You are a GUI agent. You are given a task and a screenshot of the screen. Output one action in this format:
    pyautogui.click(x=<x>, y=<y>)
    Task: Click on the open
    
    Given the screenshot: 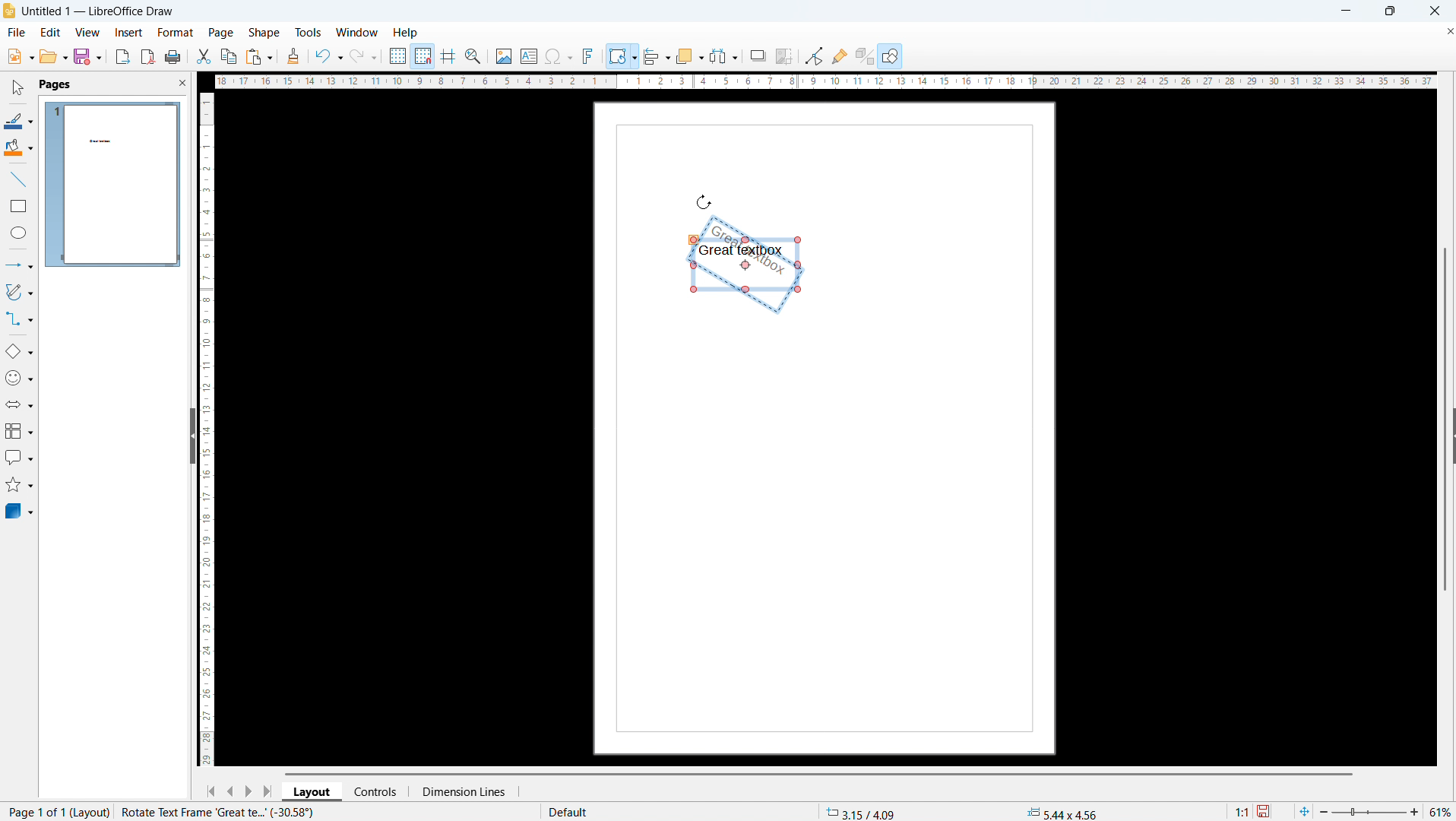 What is the action you would take?
    pyautogui.click(x=52, y=57)
    